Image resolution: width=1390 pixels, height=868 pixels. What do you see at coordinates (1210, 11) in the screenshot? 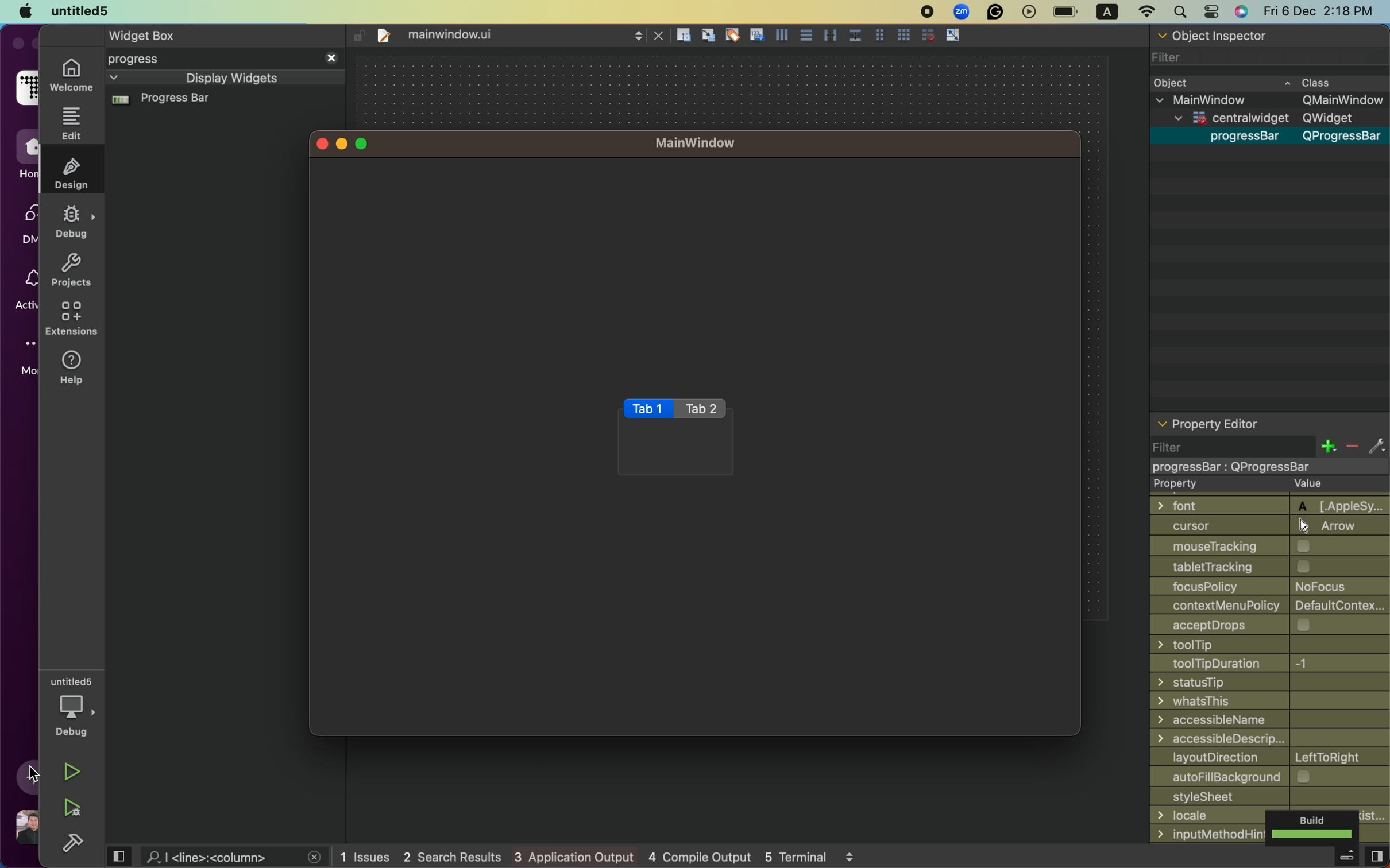
I see `settings` at bounding box center [1210, 11].